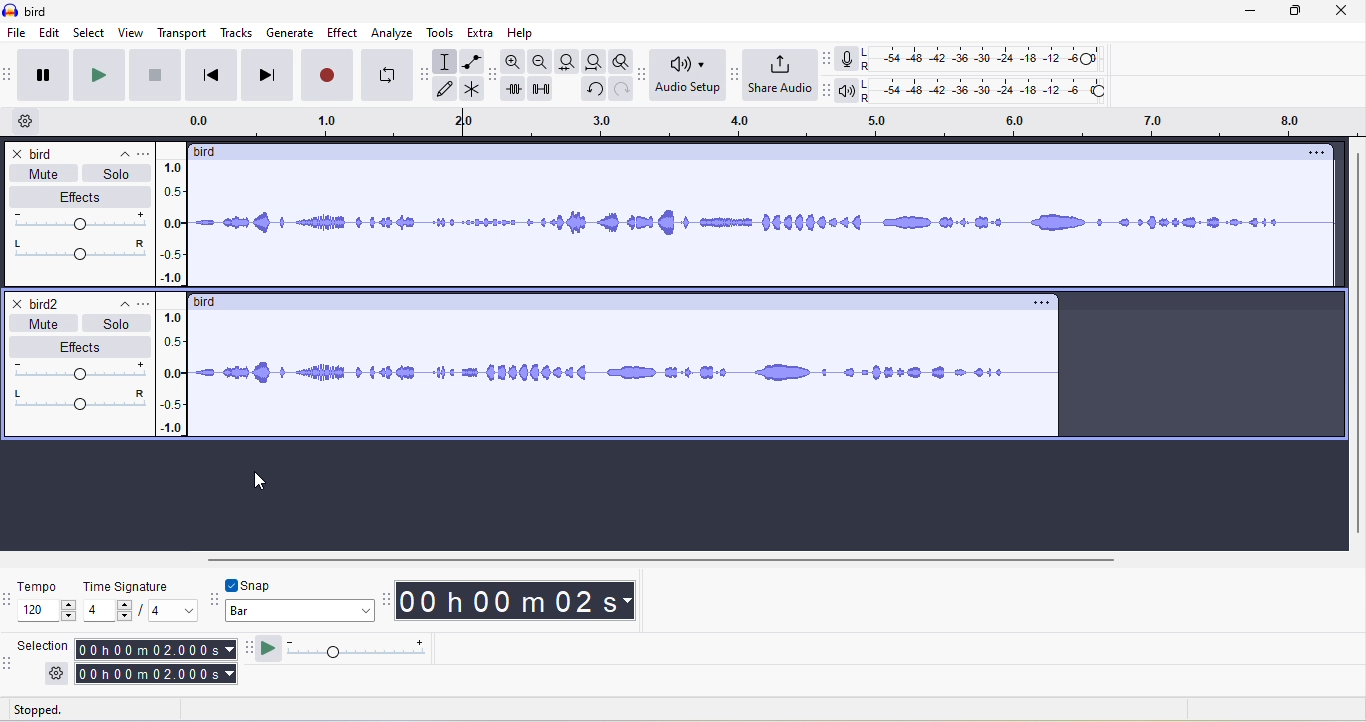 The image size is (1366, 722). I want to click on file, so click(16, 33).